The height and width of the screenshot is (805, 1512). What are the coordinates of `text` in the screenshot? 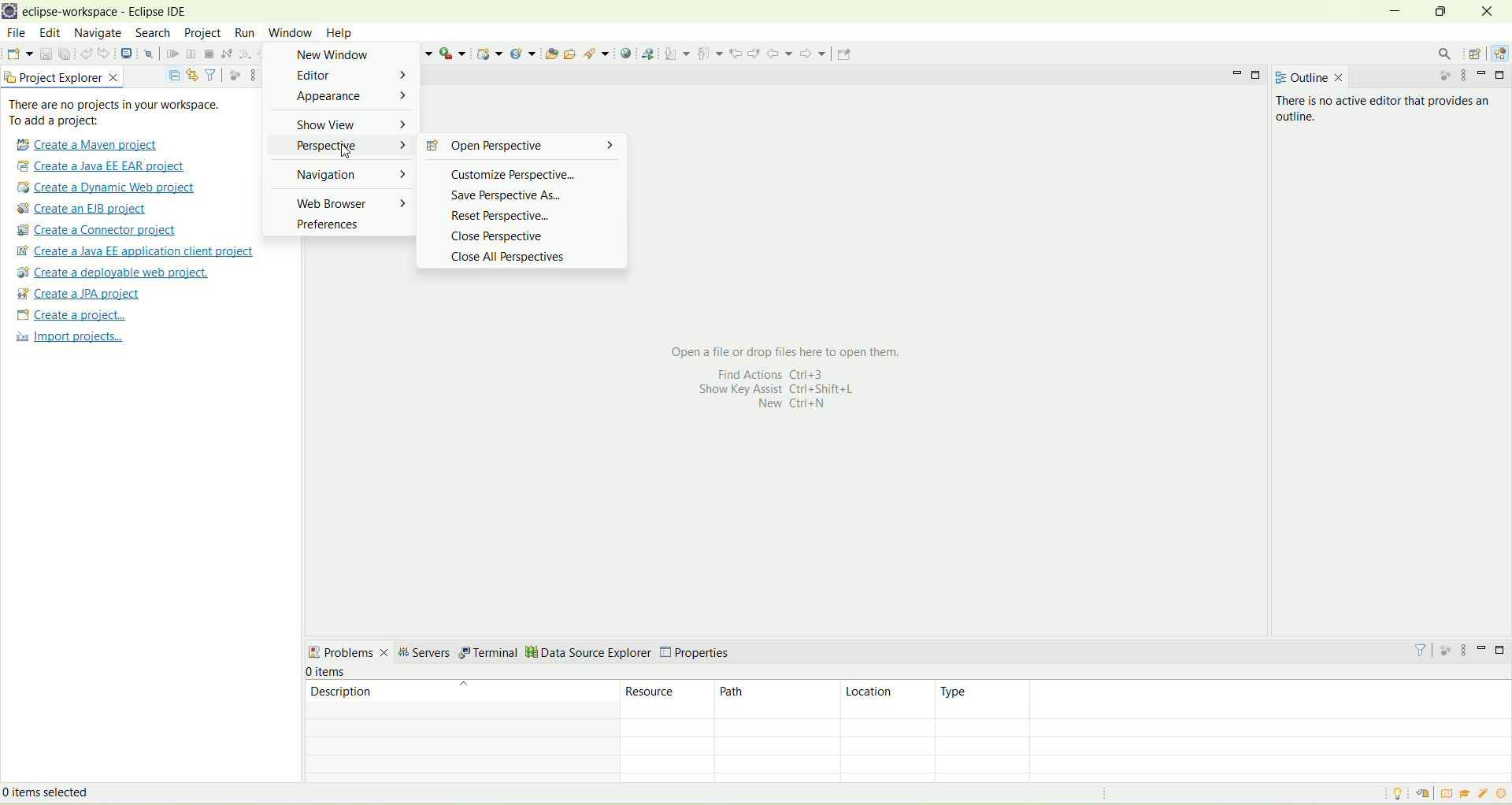 It's located at (124, 113).